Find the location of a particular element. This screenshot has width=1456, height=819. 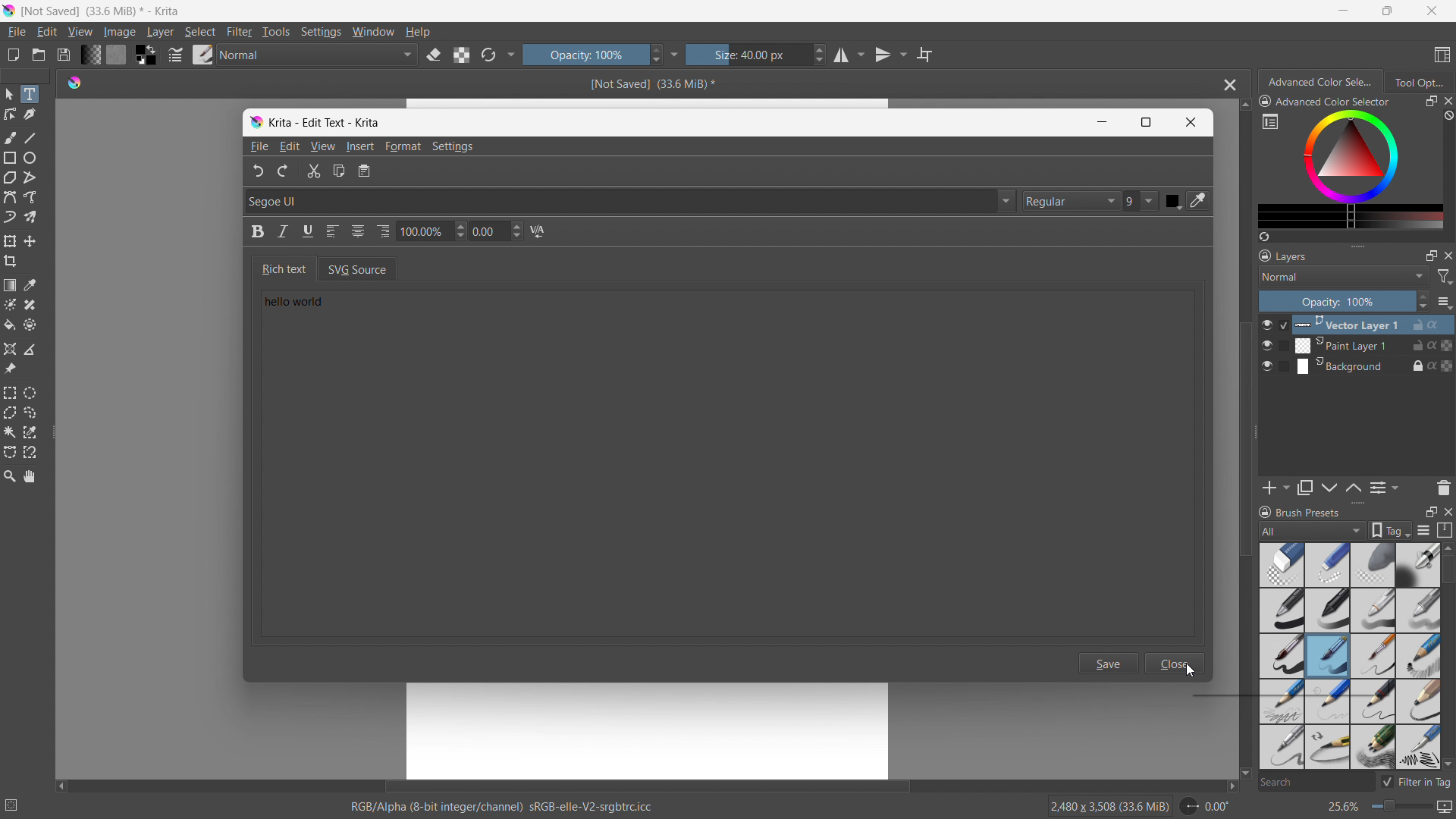

brush type is located at coordinates (1313, 530).